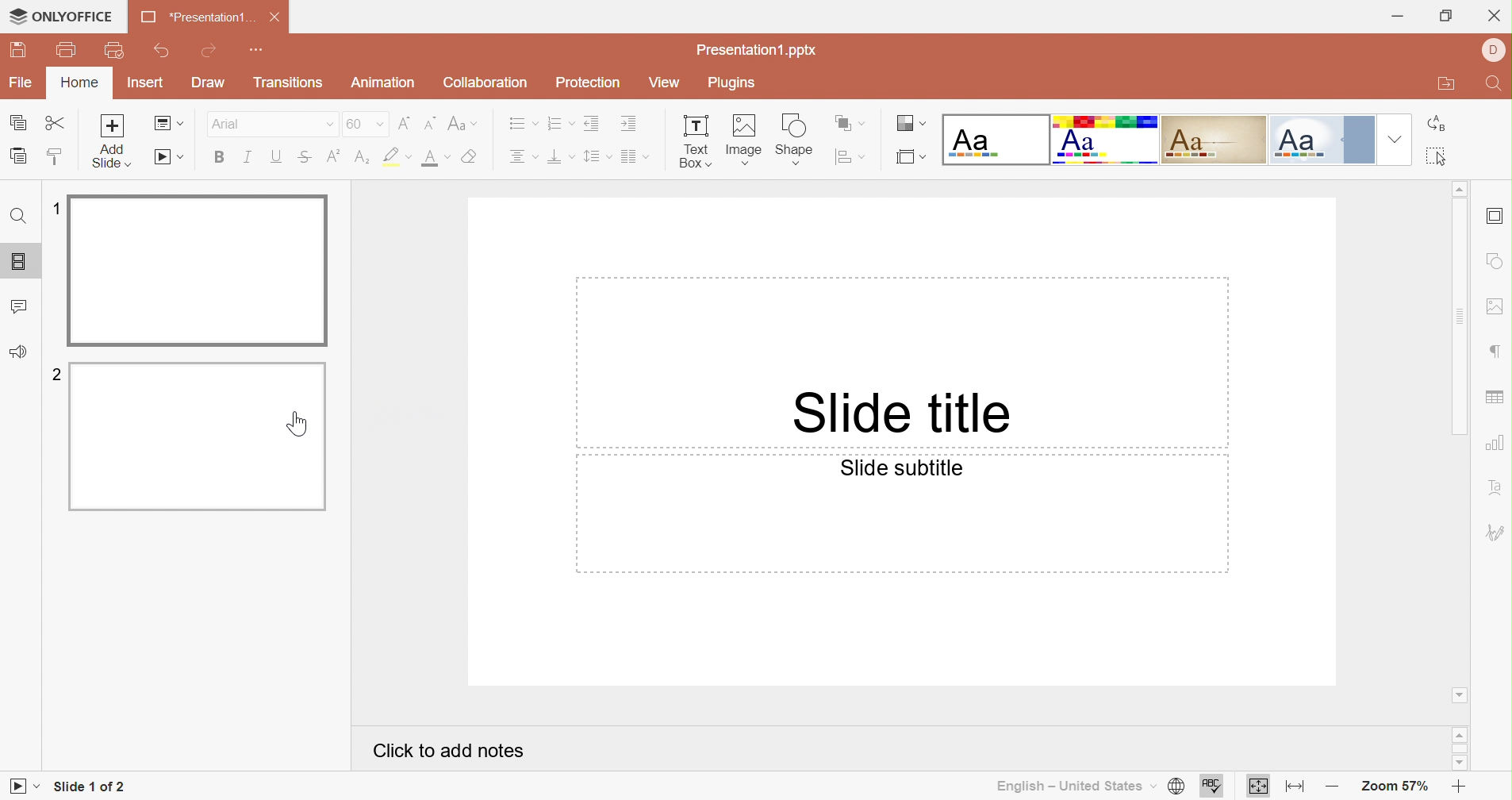 The image size is (1512, 800). Describe the element at coordinates (1211, 787) in the screenshot. I see `Check spelling` at that location.